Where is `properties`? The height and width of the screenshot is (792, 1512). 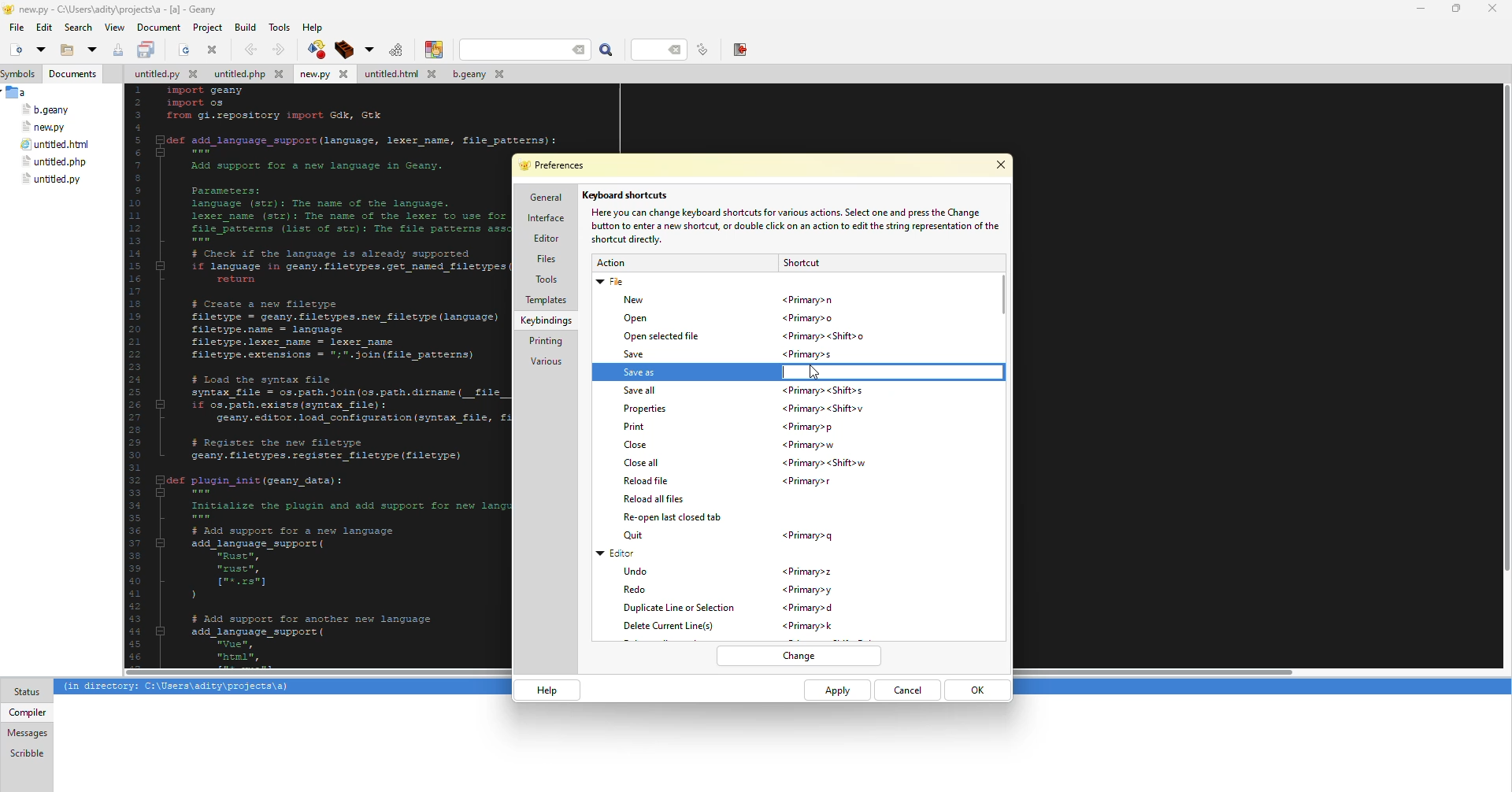 properties is located at coordinates (646, 409).